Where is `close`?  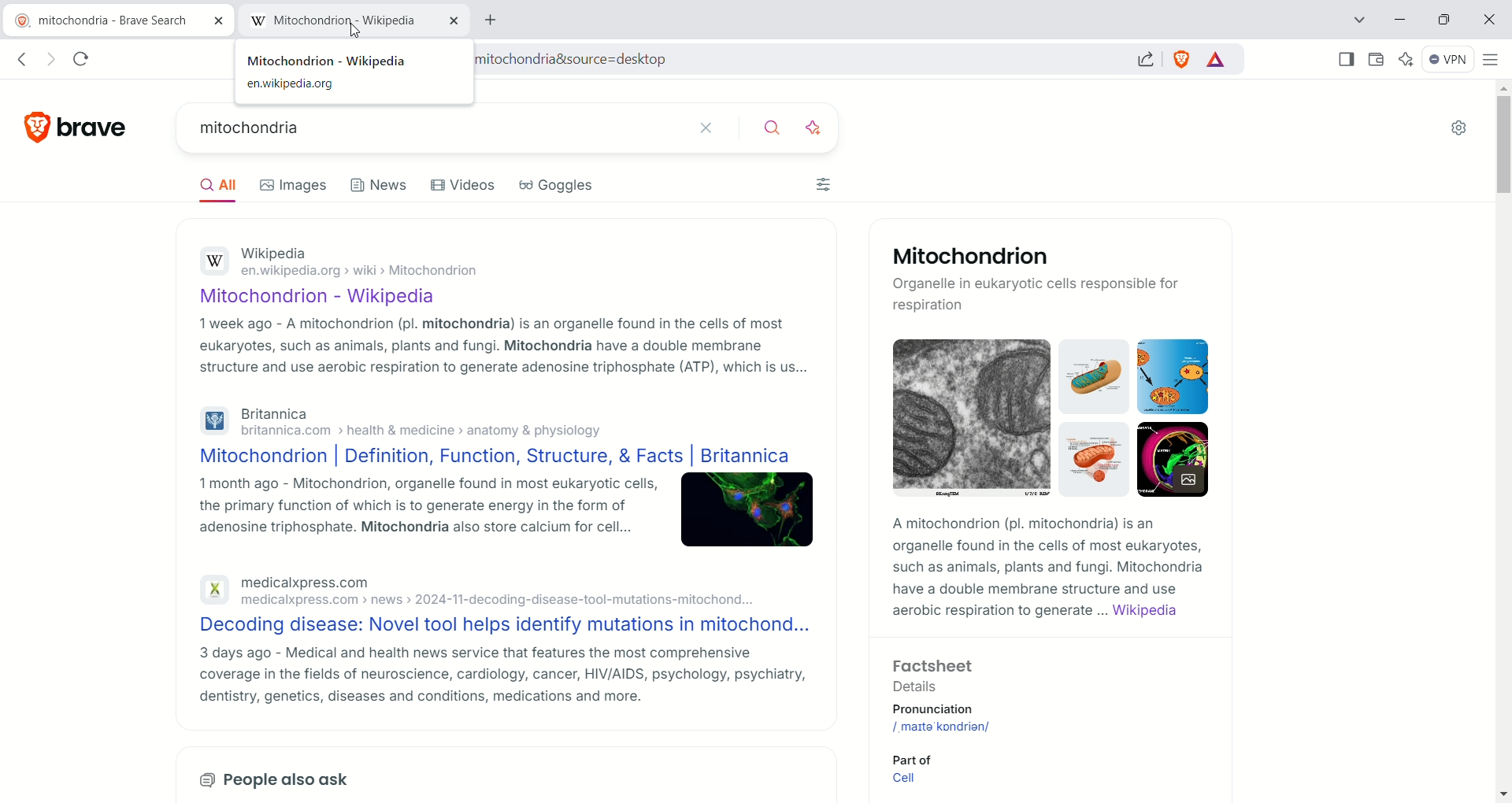 close is located at coordinates (217, 20).